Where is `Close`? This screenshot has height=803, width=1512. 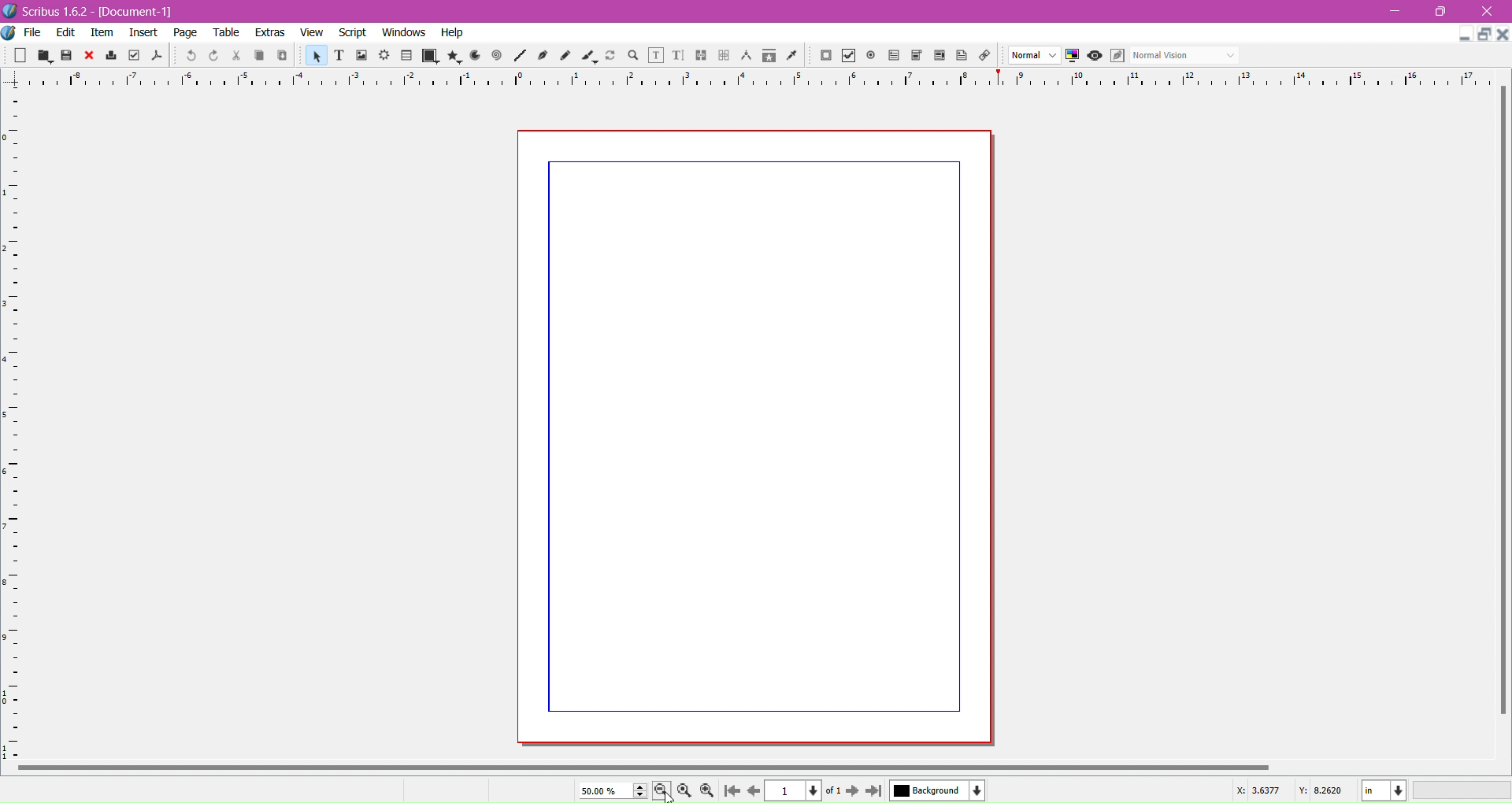
Close is located at coordinates (1487, 12).